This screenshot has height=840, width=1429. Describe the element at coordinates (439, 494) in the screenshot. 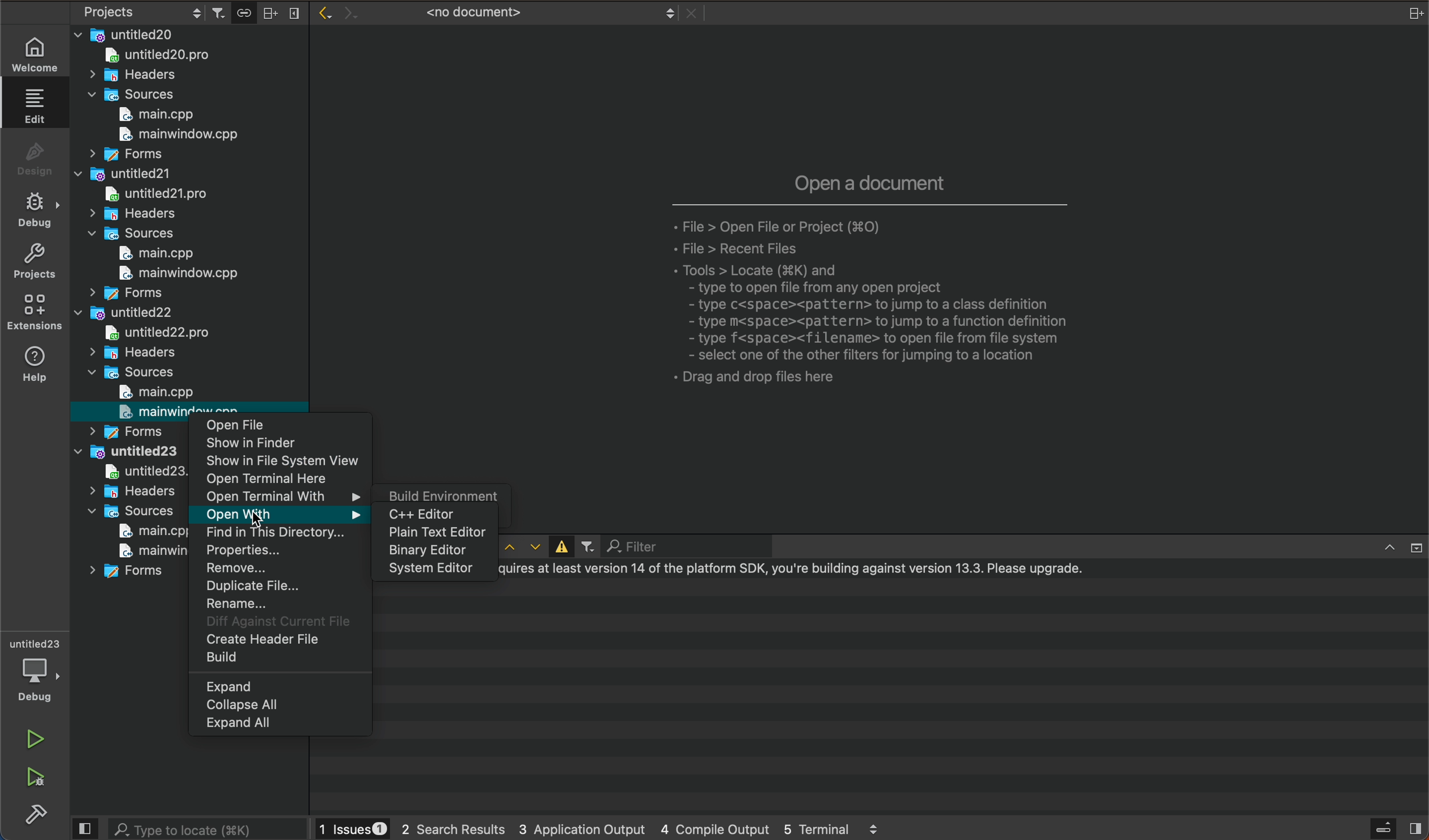

I see `build environment` at that location.